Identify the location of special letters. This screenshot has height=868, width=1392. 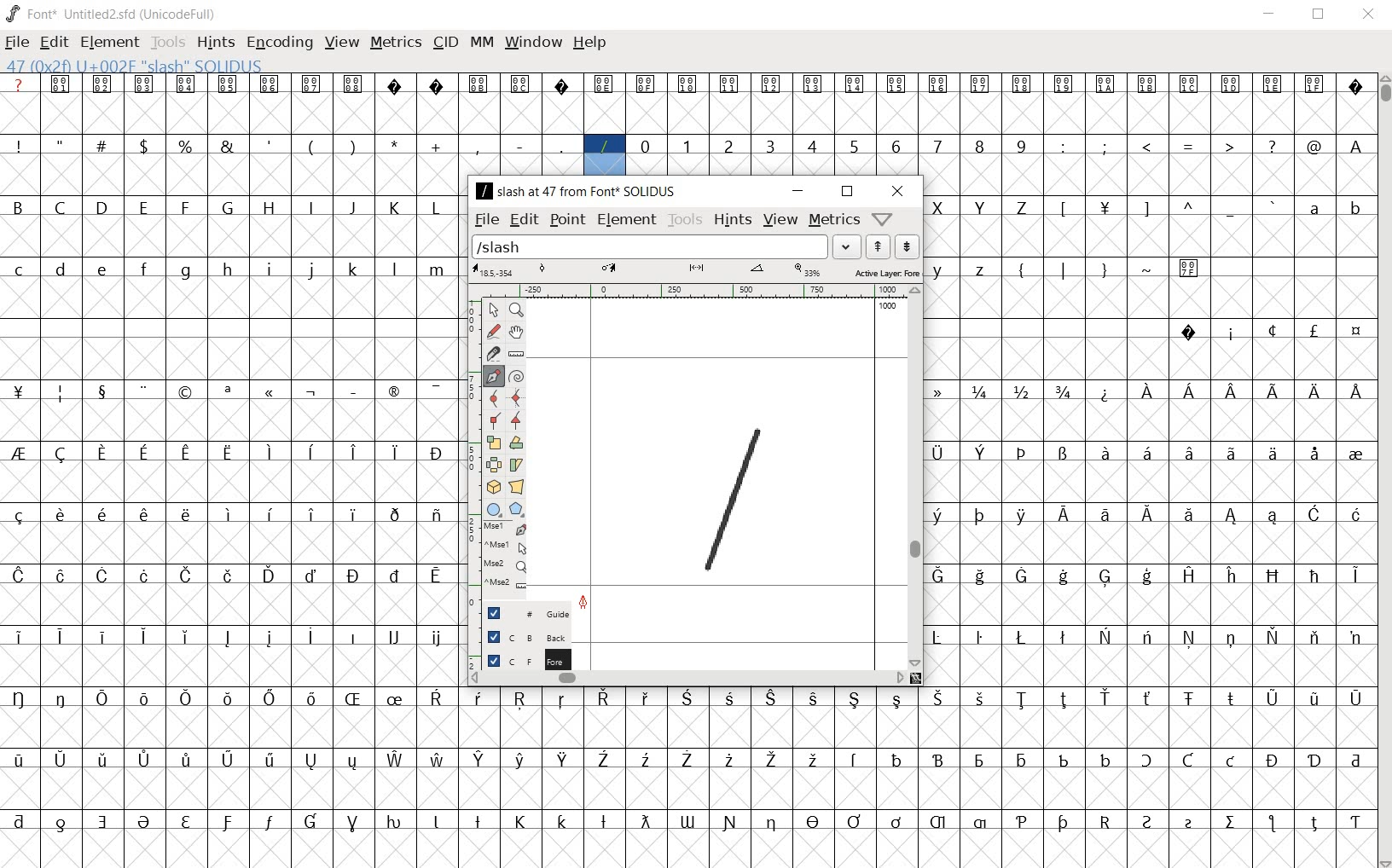
(684, 760).